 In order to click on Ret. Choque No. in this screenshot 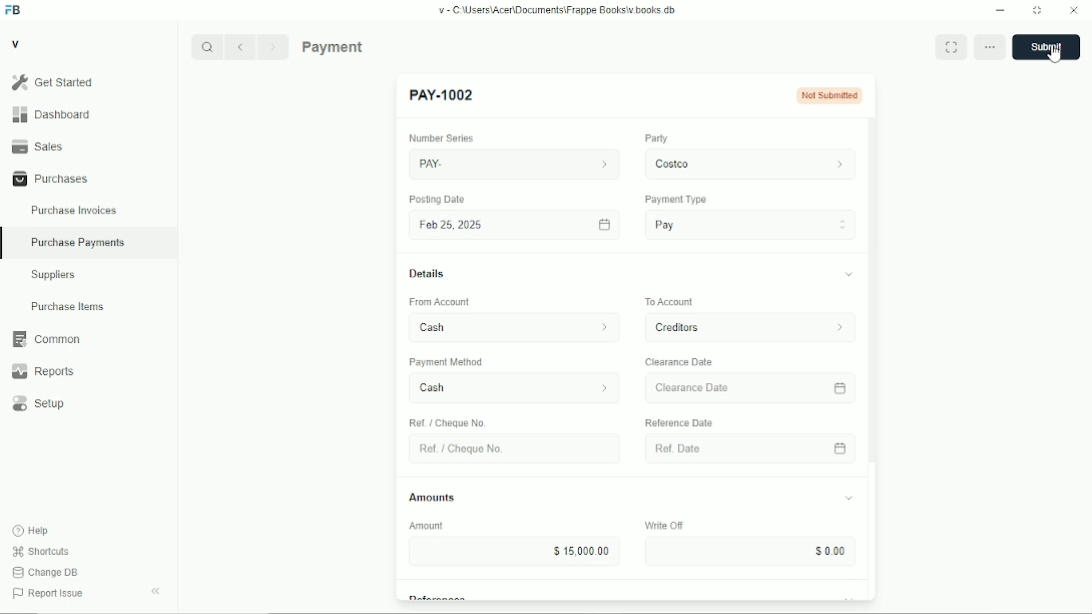, I will do `click(509, 449)`.